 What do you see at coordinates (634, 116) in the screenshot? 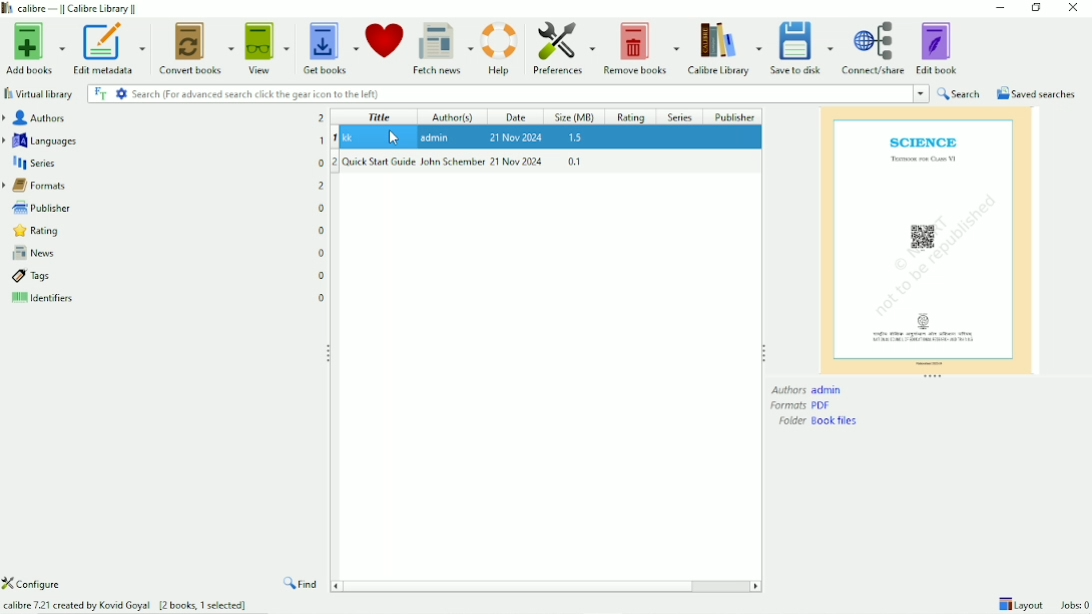
I see `Rating` at bounding box center [634, 116].